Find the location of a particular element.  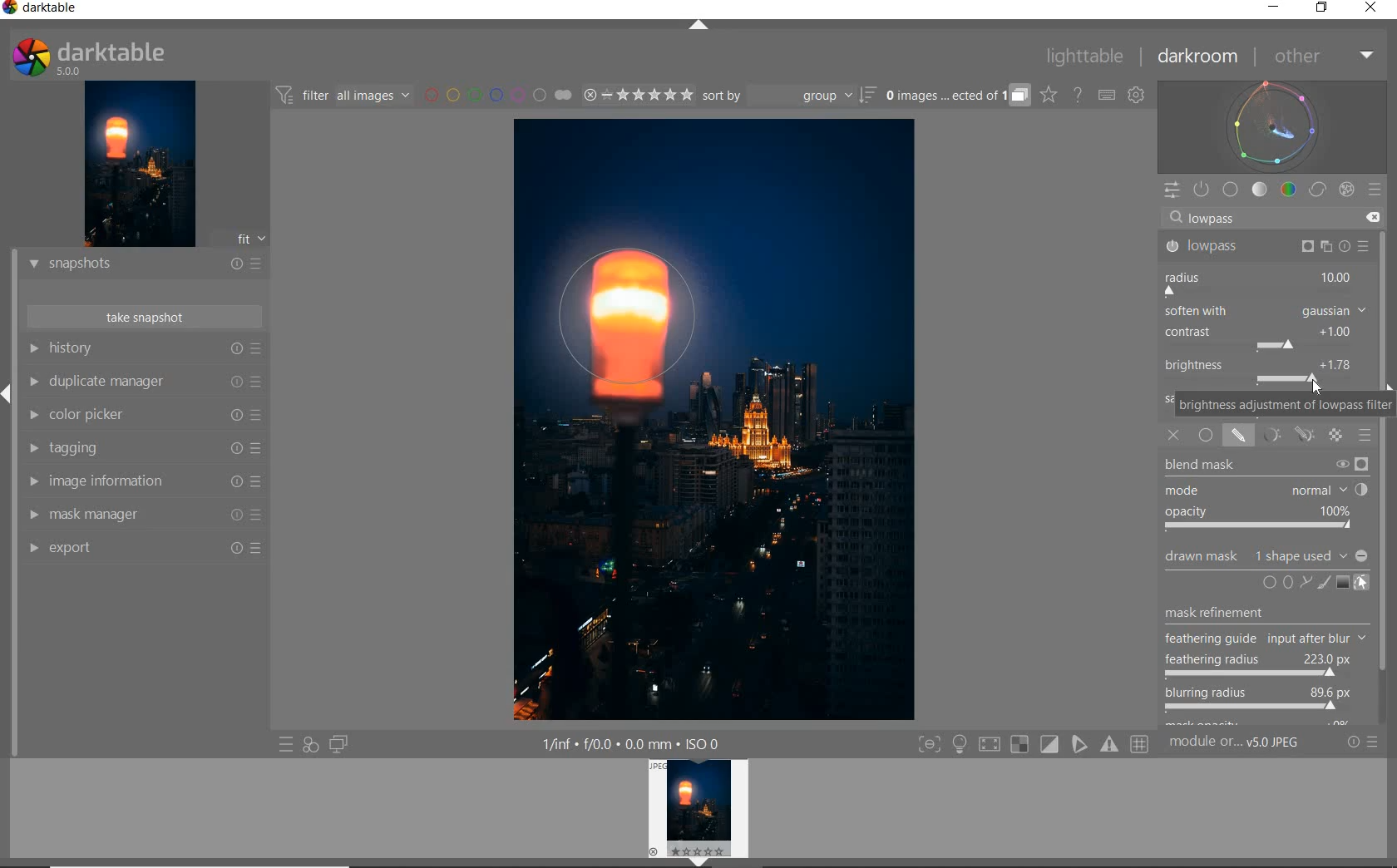

CORRECT is located at coordinates (1317, 190).